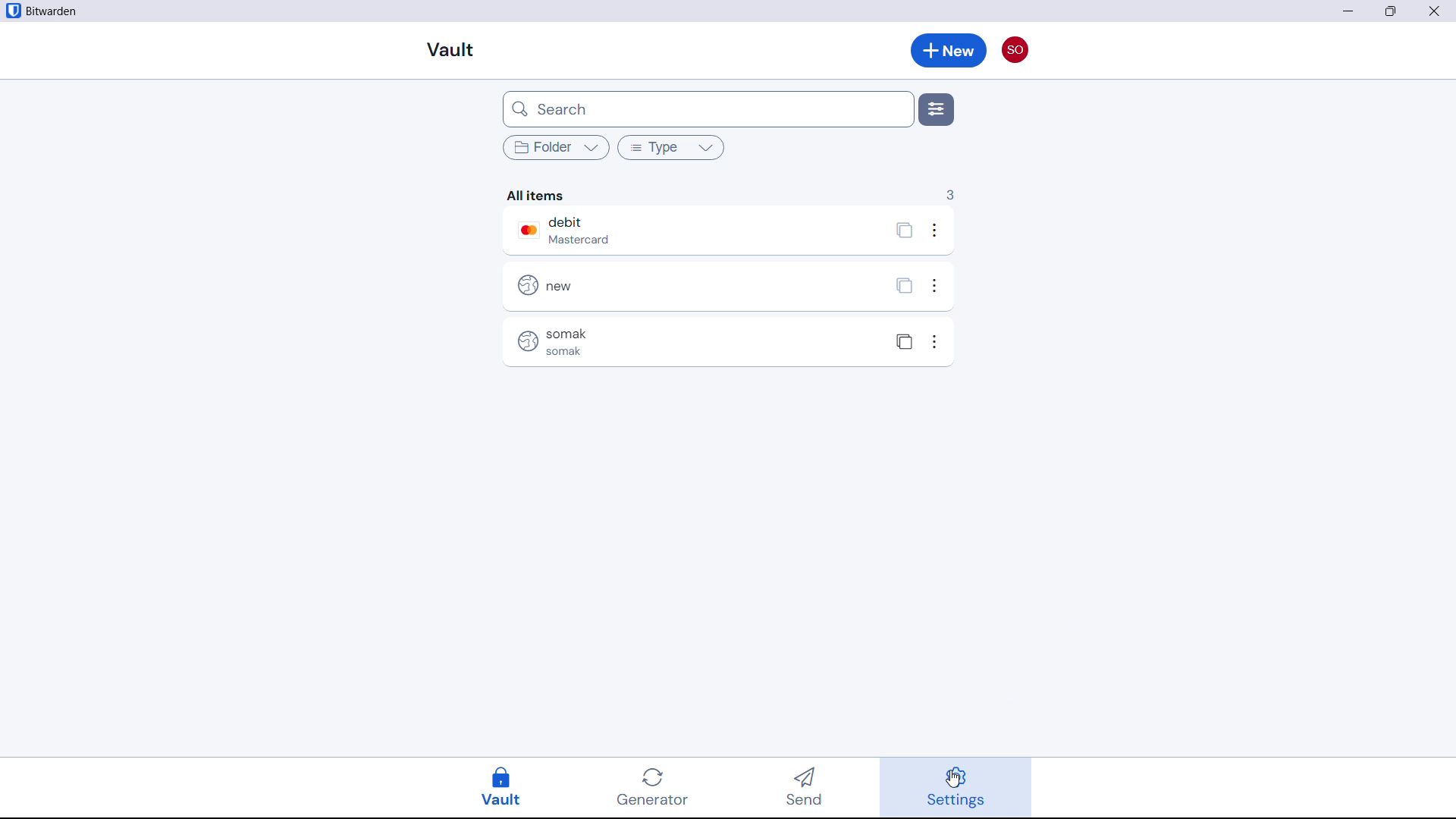  What do you see at coordinates (949, 194) in the screenshot?
I see `Number of entries ` at bounding box center [949, 194].